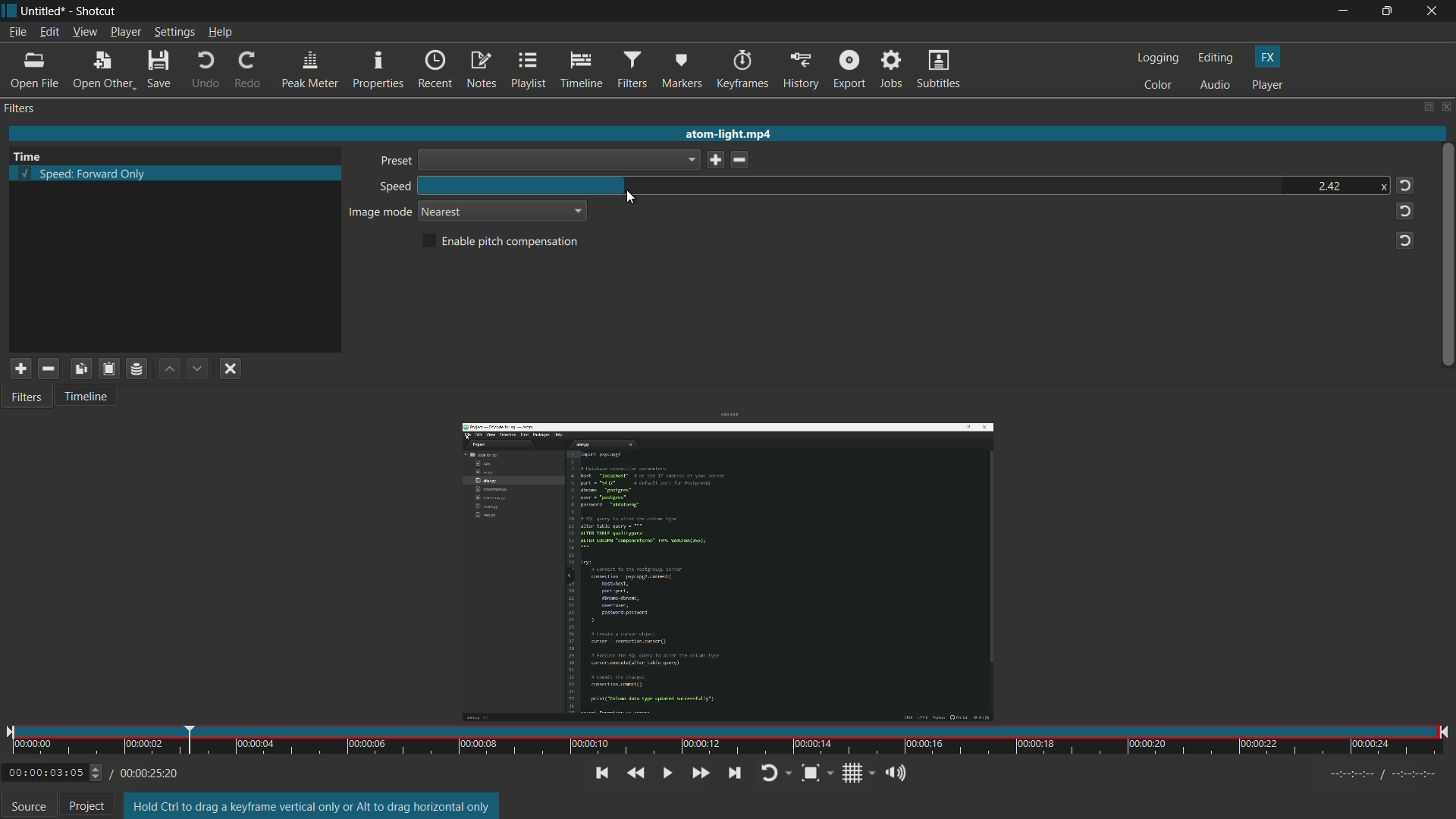  What do you see at coordinates (713, 160) in the screenshot?
I see `save` at bounding box center [713, 160].